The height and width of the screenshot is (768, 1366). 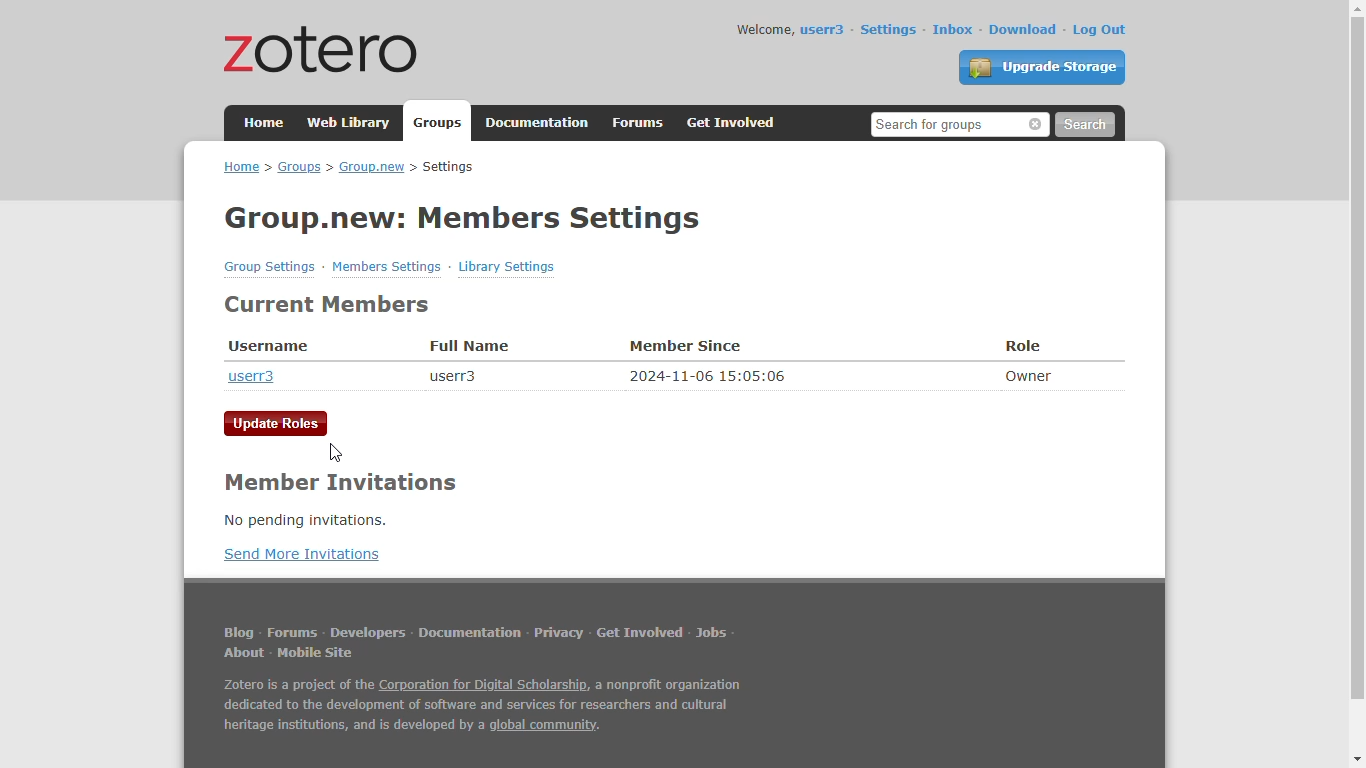 What do you see at coordinates (733, 123) in the screenshot?
I see `get involved` at bounding box center [733, 123].